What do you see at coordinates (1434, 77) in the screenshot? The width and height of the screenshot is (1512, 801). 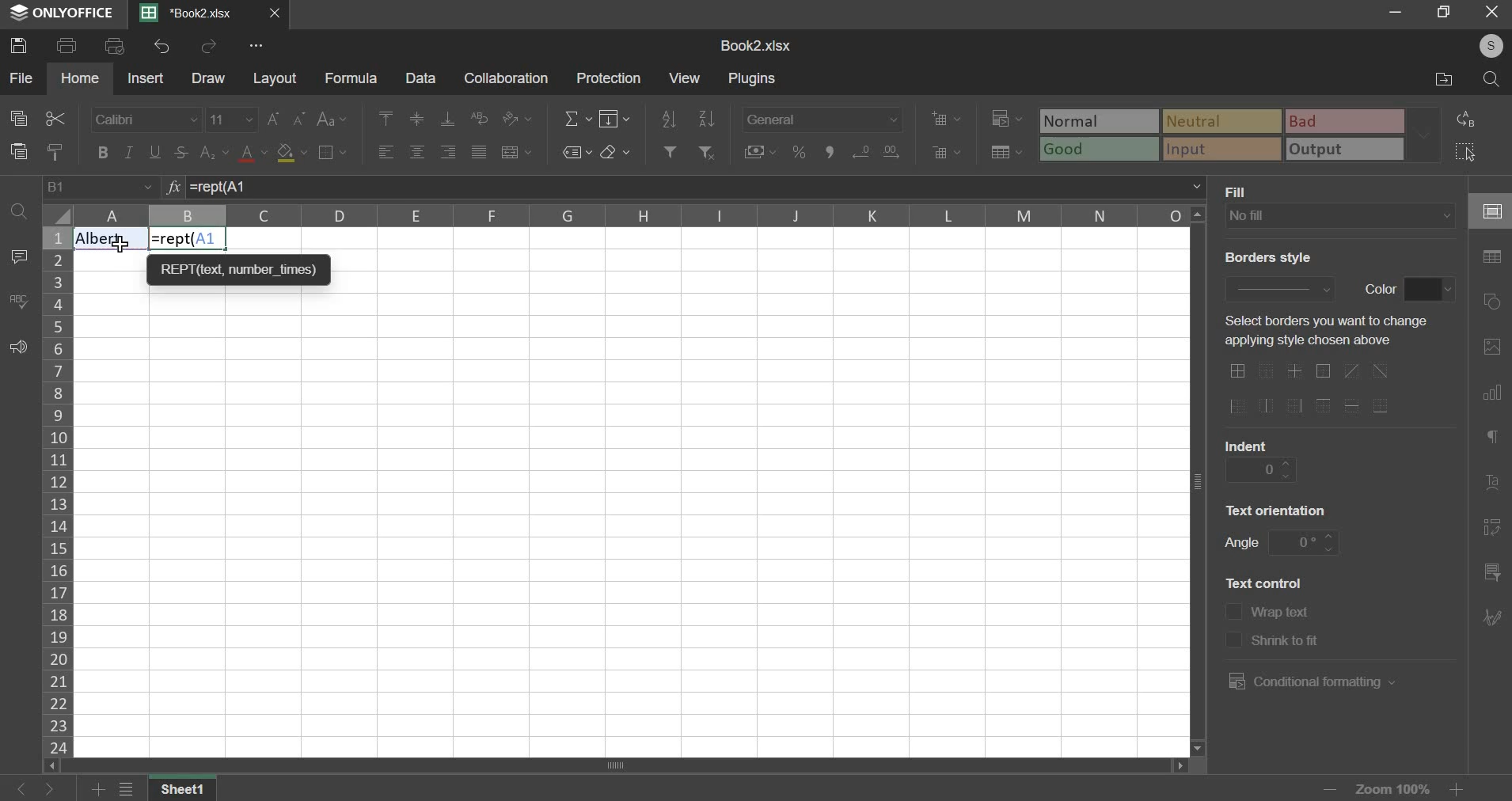 I see `file location` at bounding box center [1434, 77].